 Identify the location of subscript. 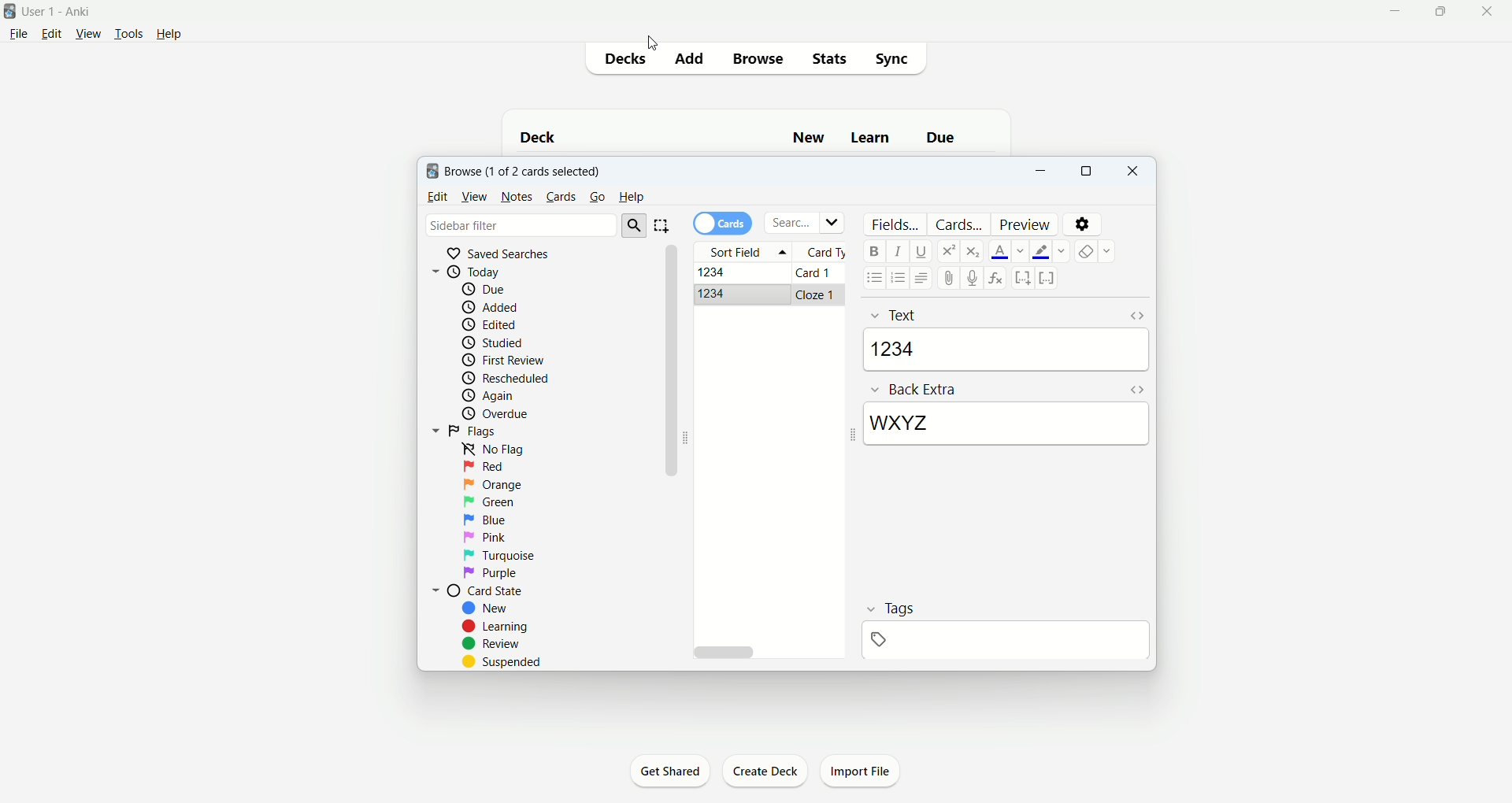
(972, 251).